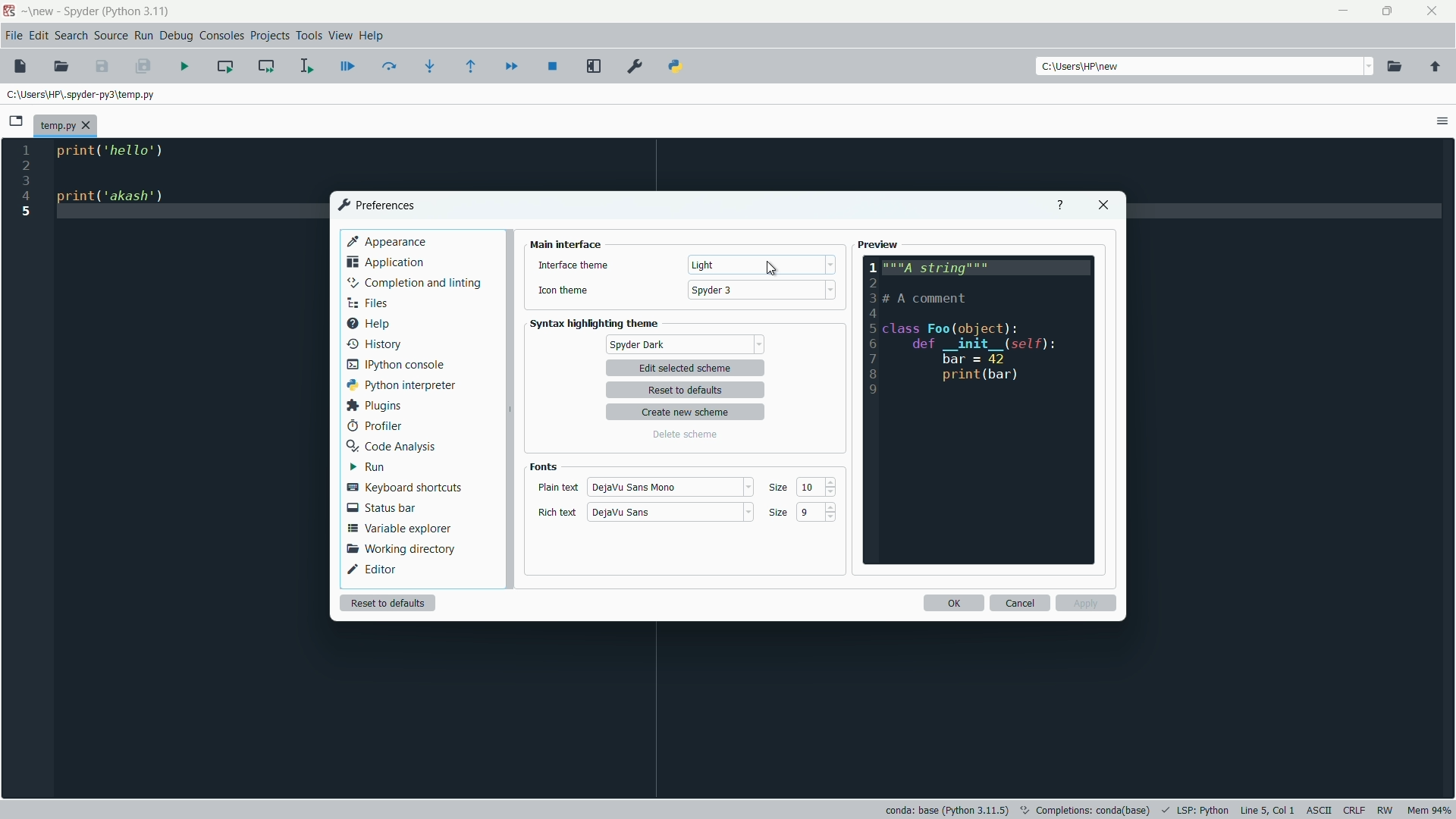 Image resolution: width=1456 pixels, height=819 pixels. Describe the element at coordinates (1318, 811) in the screenshot. I see `file encoding` at that location.